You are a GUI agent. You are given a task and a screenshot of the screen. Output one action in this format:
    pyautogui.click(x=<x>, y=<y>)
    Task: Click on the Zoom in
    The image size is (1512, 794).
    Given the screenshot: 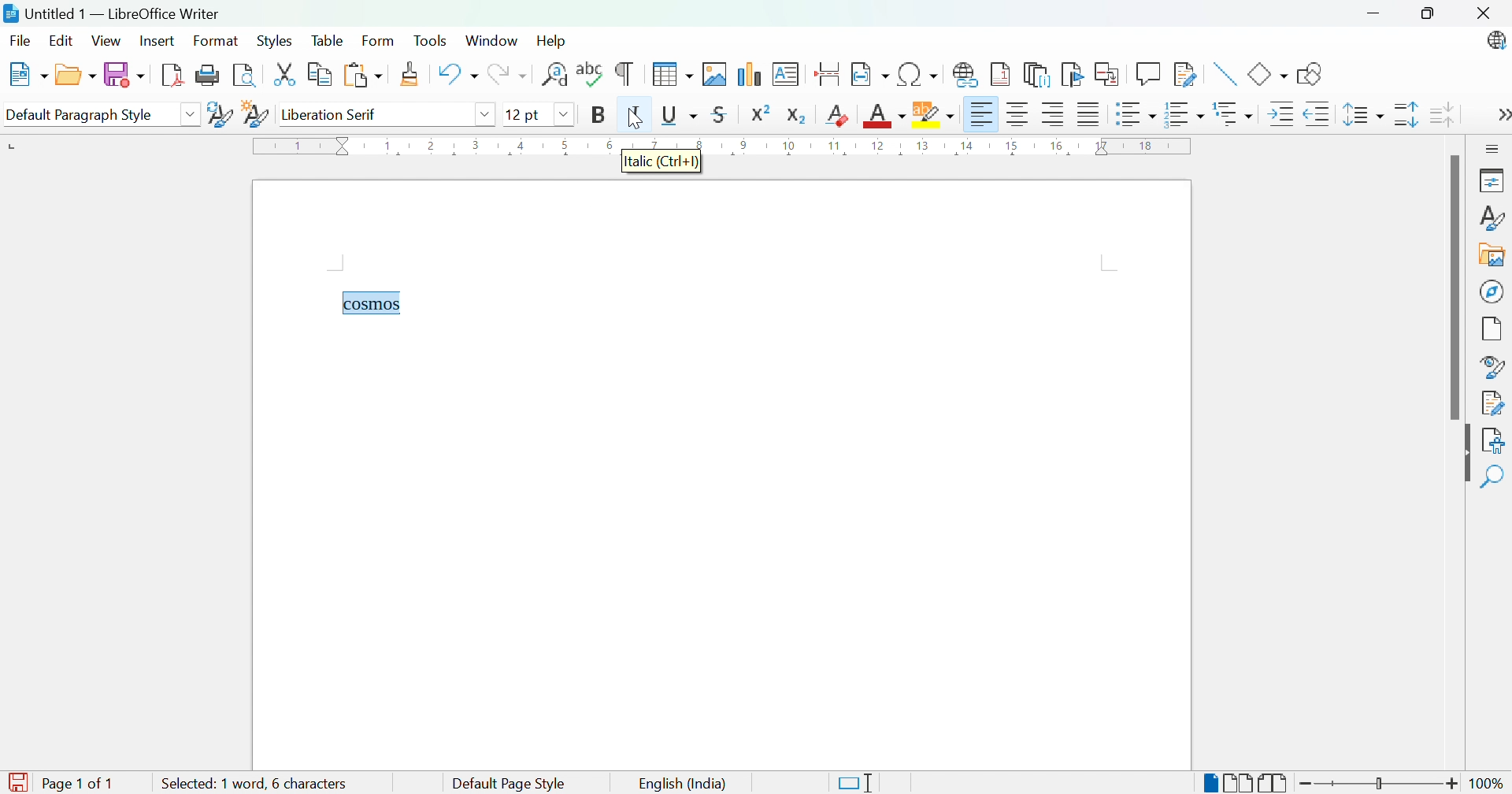 What is the action you would take?
    pyautogui.click(x=1453, y=784)
    